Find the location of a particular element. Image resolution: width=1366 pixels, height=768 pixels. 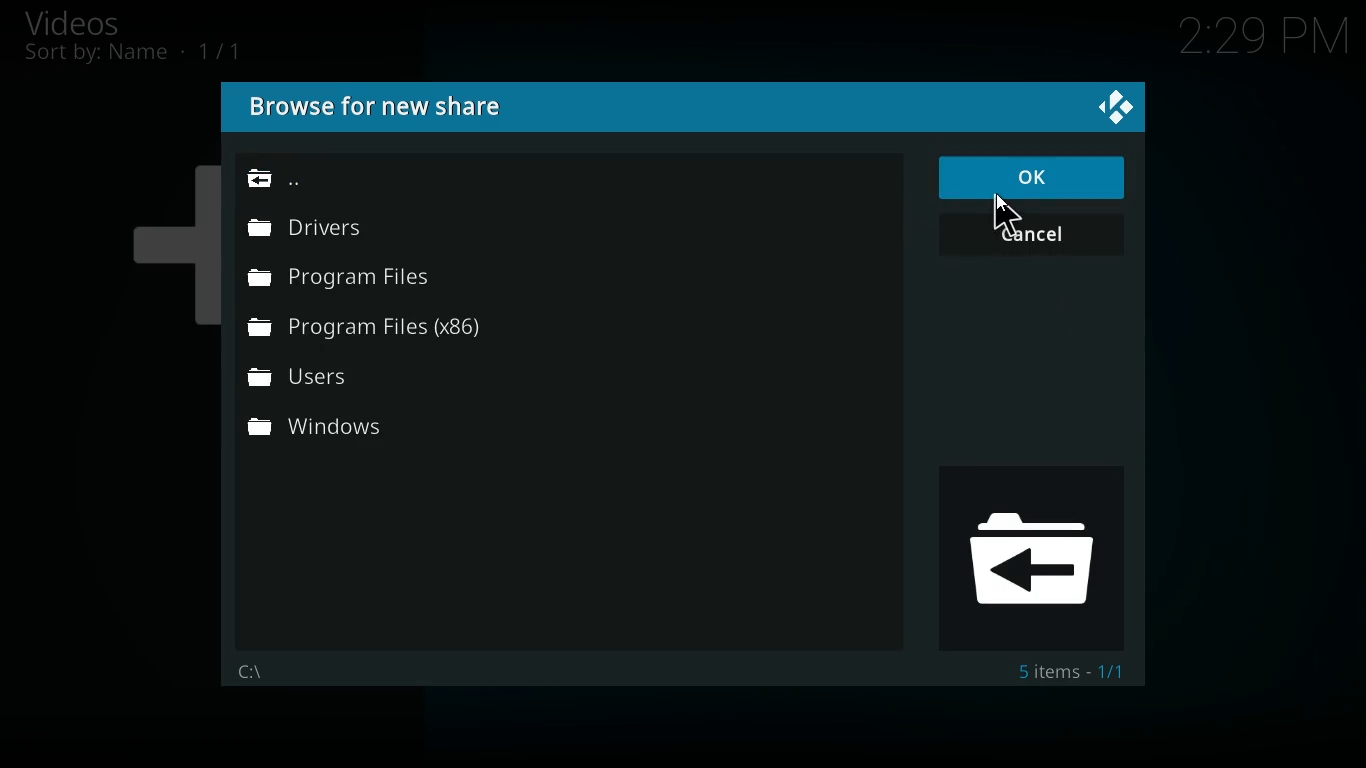

program files is located at coordinates (346, 283).